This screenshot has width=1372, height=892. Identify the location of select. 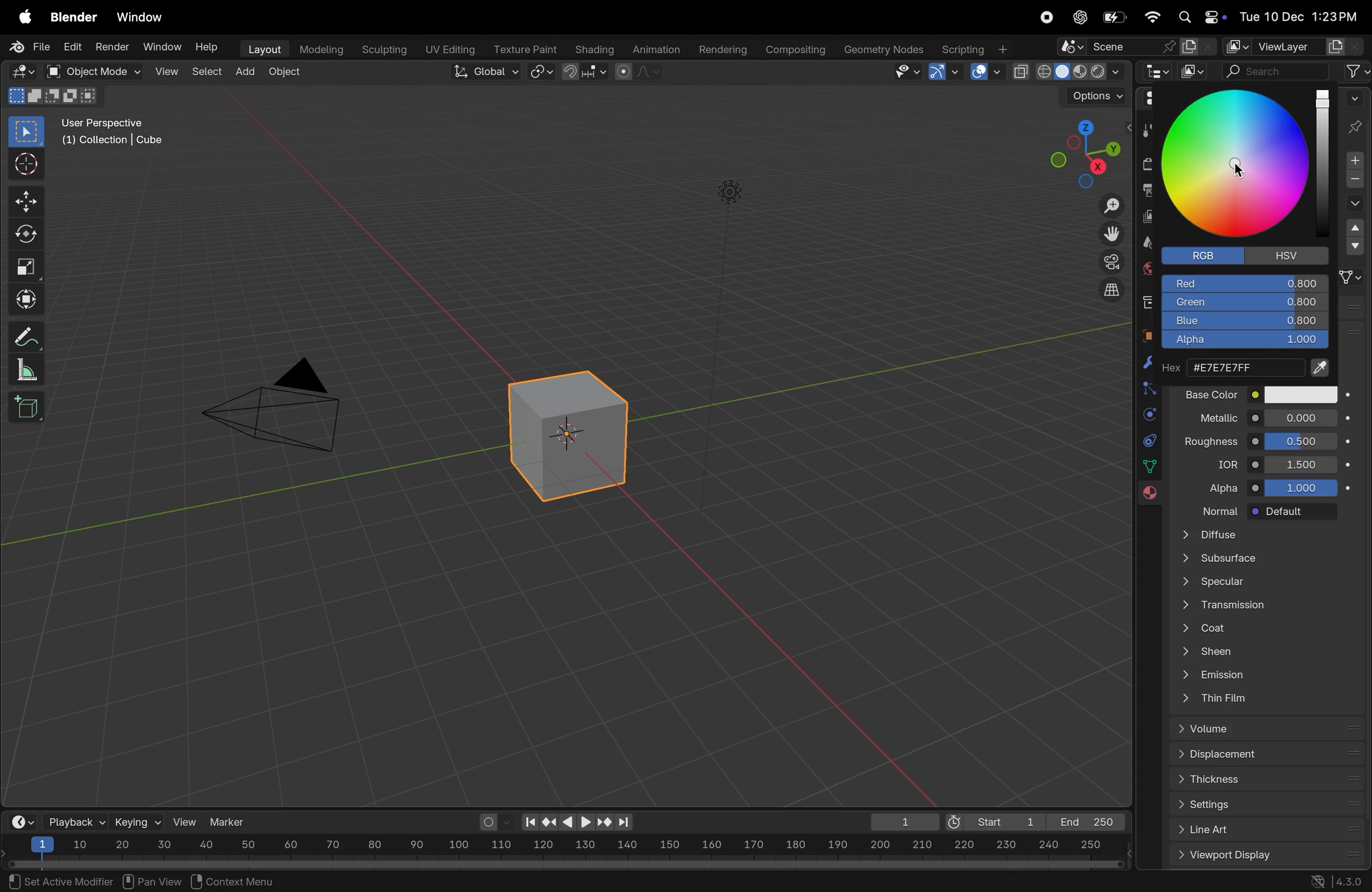
(28, 132).